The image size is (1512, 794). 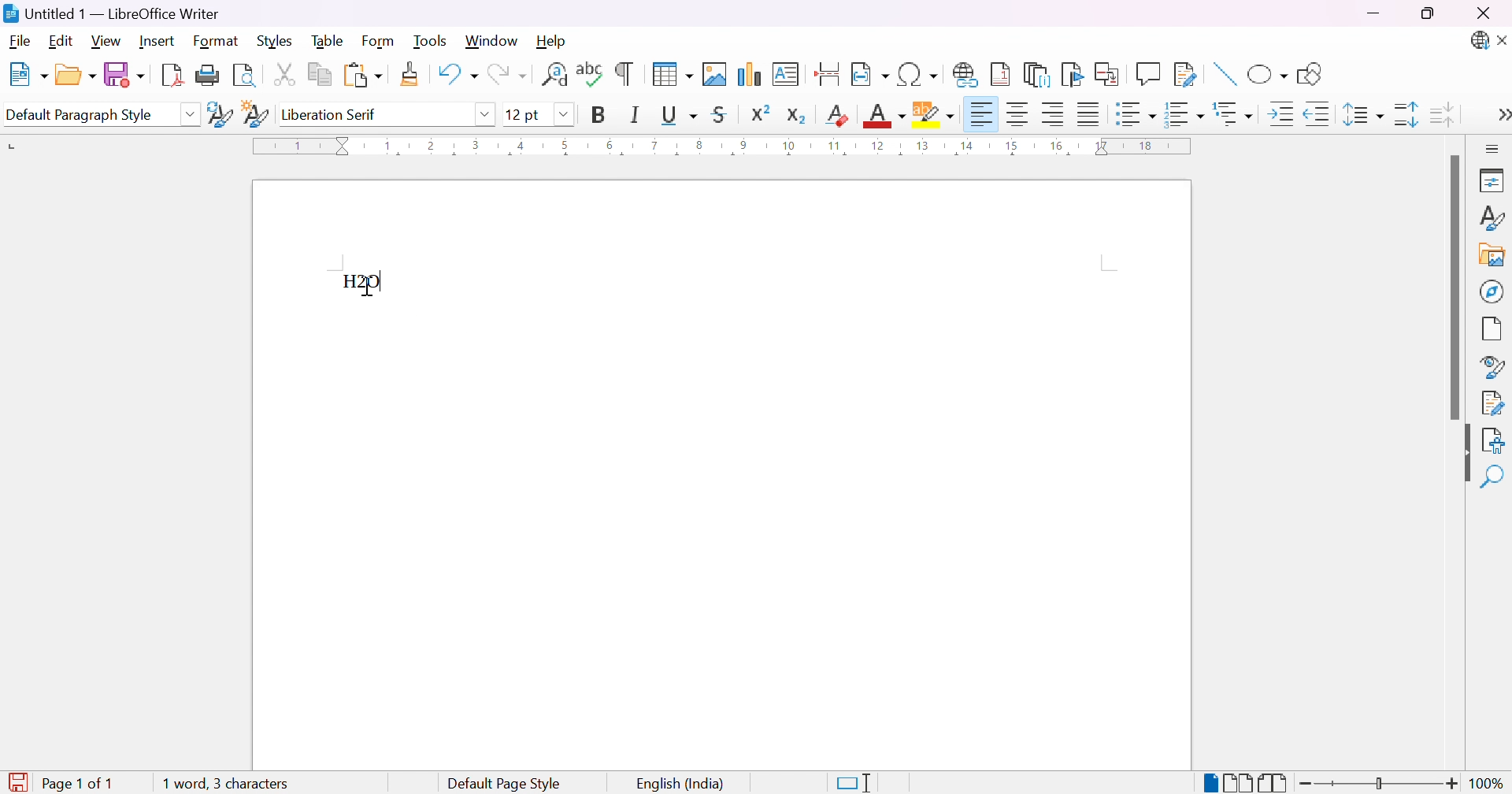 What do you see at coordinates (332, 114) in the screenshot?
I see `Liberation serif` at bounding box center [332, 114].